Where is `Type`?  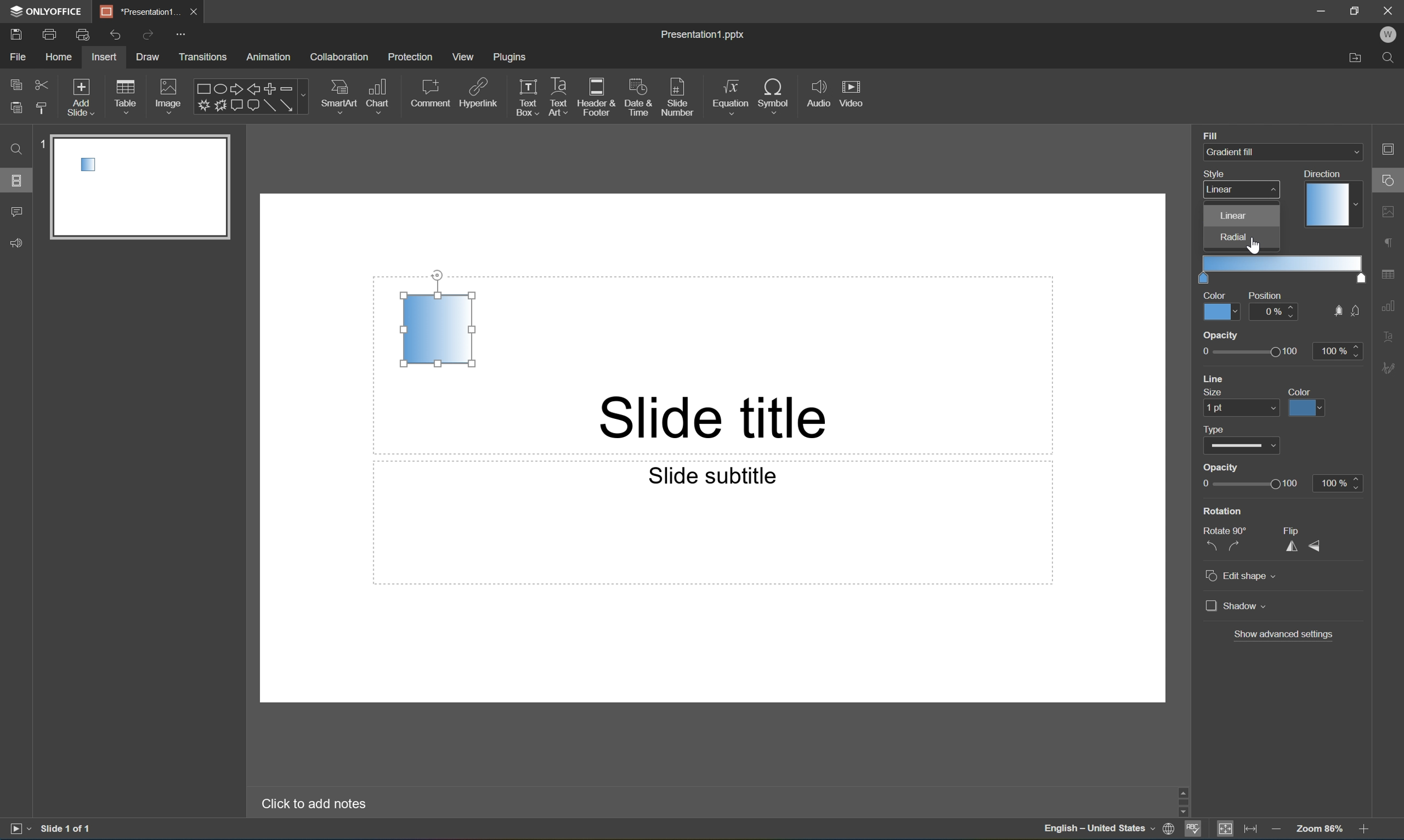 Type is located at coordinates (1214, 428).